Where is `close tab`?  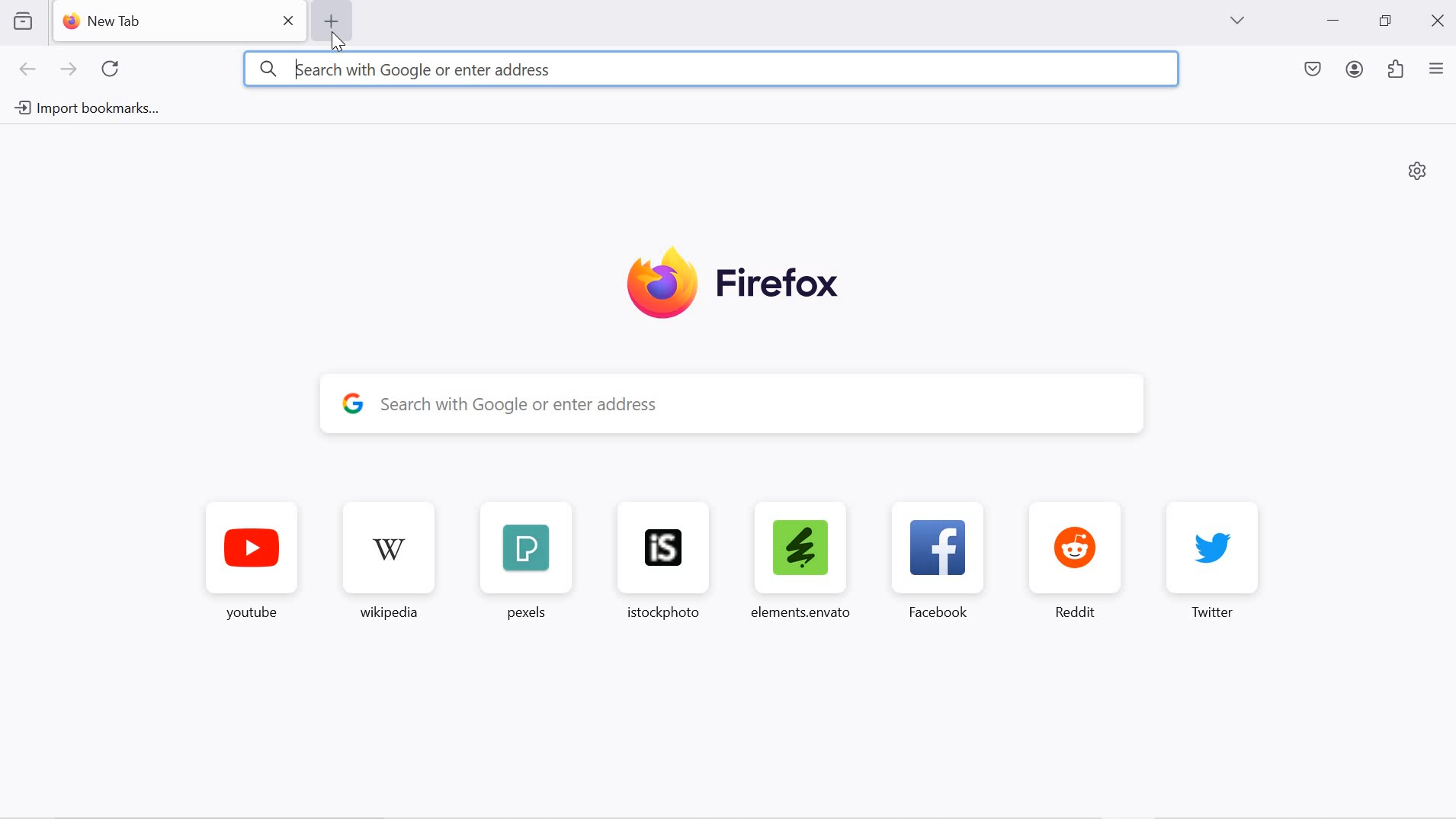 close tab is located at coordinates (290, 21).